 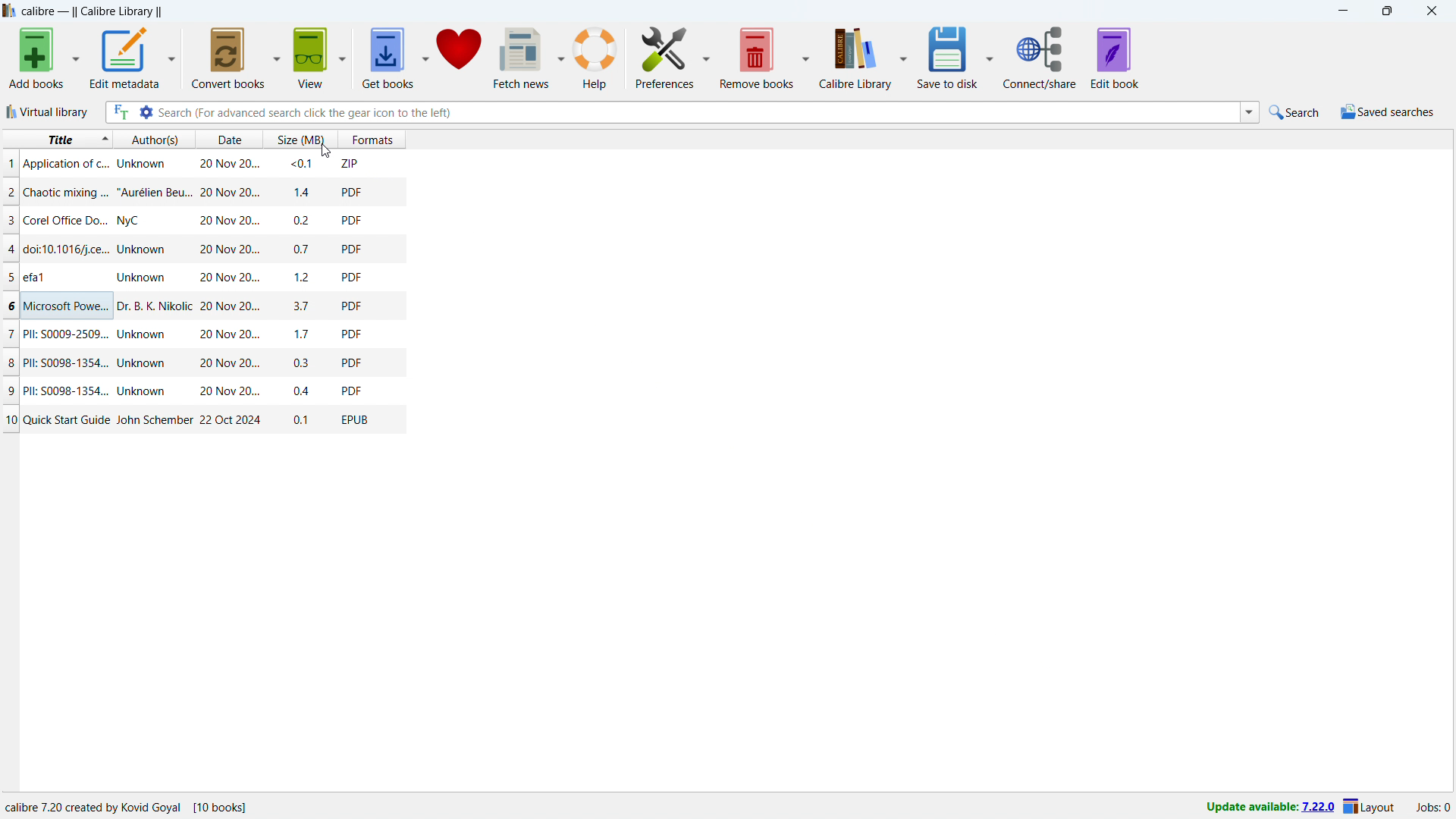 What do you see at coordinates (426, 57) in the screenshot?
I see `get books options` at bounding box center [426, 57].